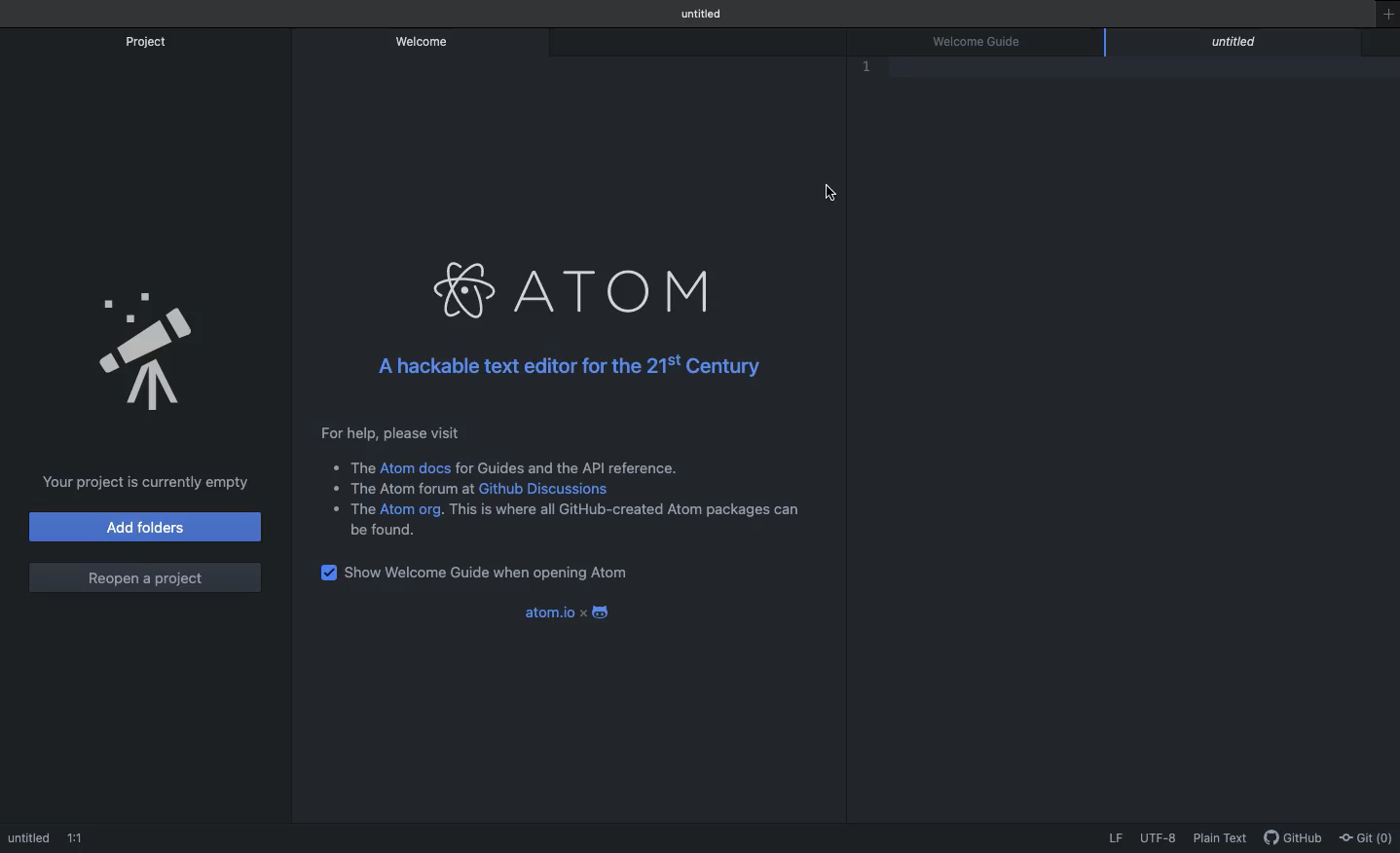 Image resolution: width=1400 pixels, height=853 pixels. I want to click on Welcome guide, so click(983, 41).